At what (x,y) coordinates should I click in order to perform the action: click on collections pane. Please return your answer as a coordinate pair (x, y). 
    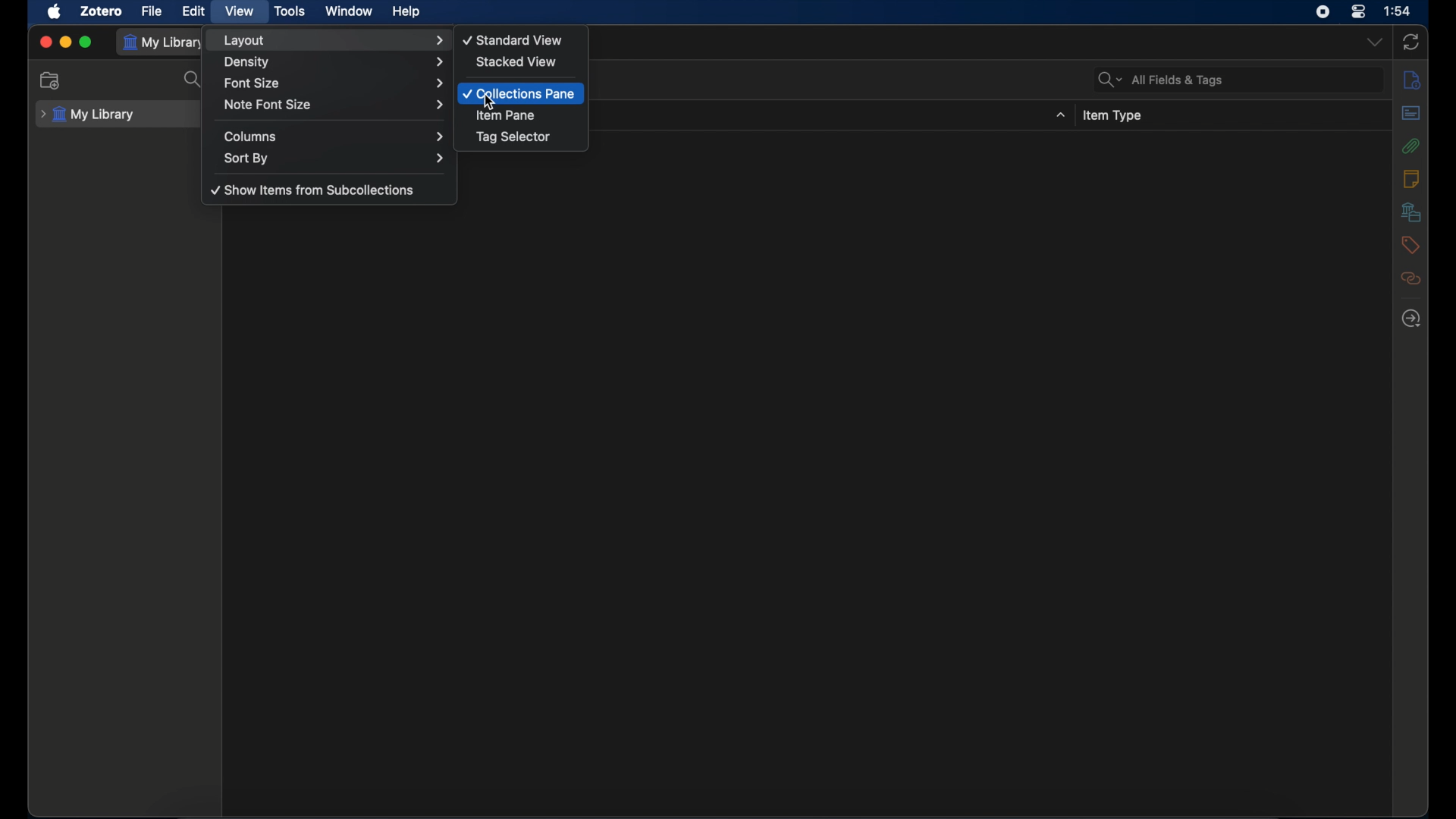
    Looking at the image, I should click on (519, 93).